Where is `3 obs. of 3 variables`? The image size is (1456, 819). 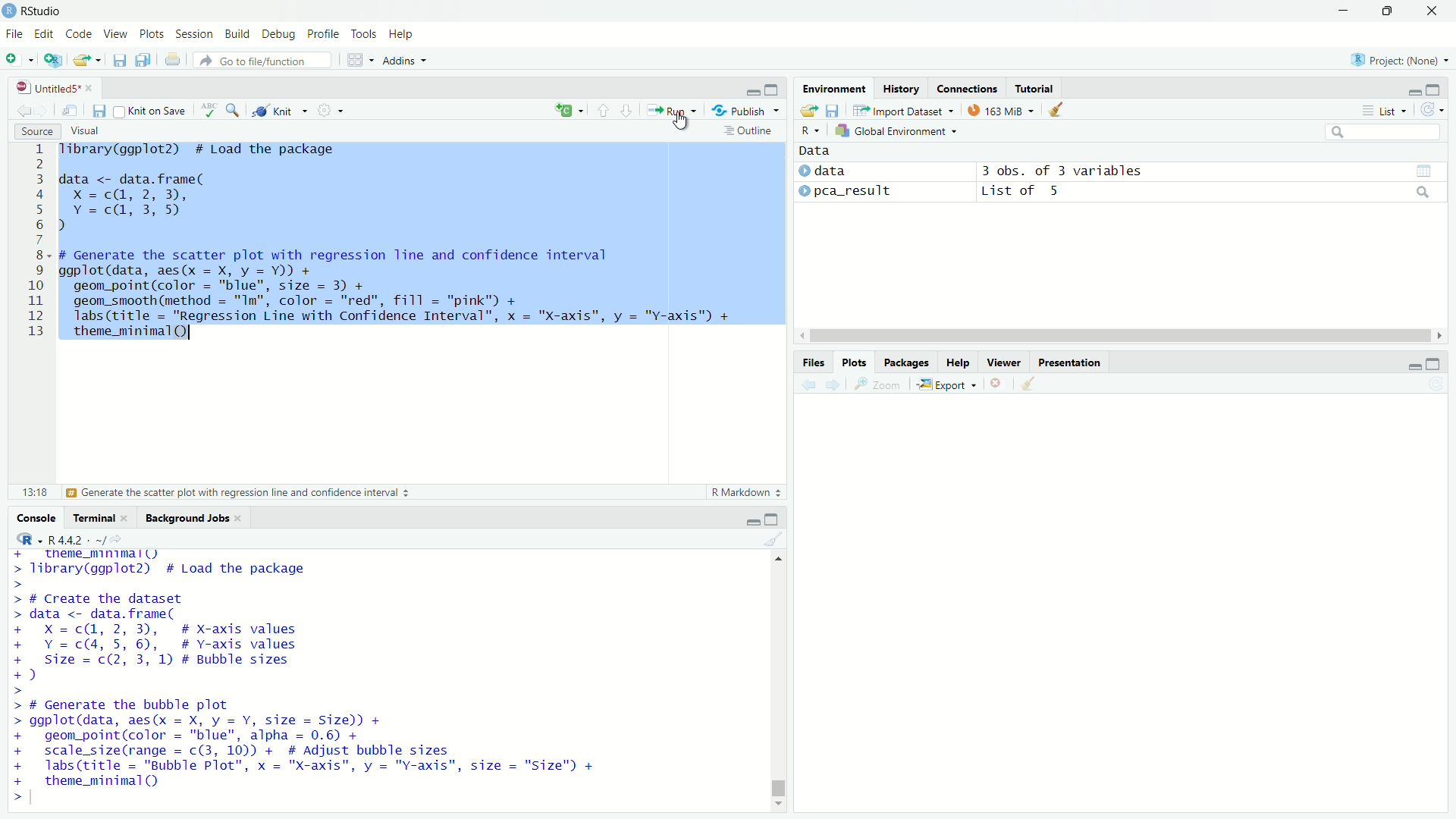
3 obs. of 3 variables is located at coordinates (1062, 171).